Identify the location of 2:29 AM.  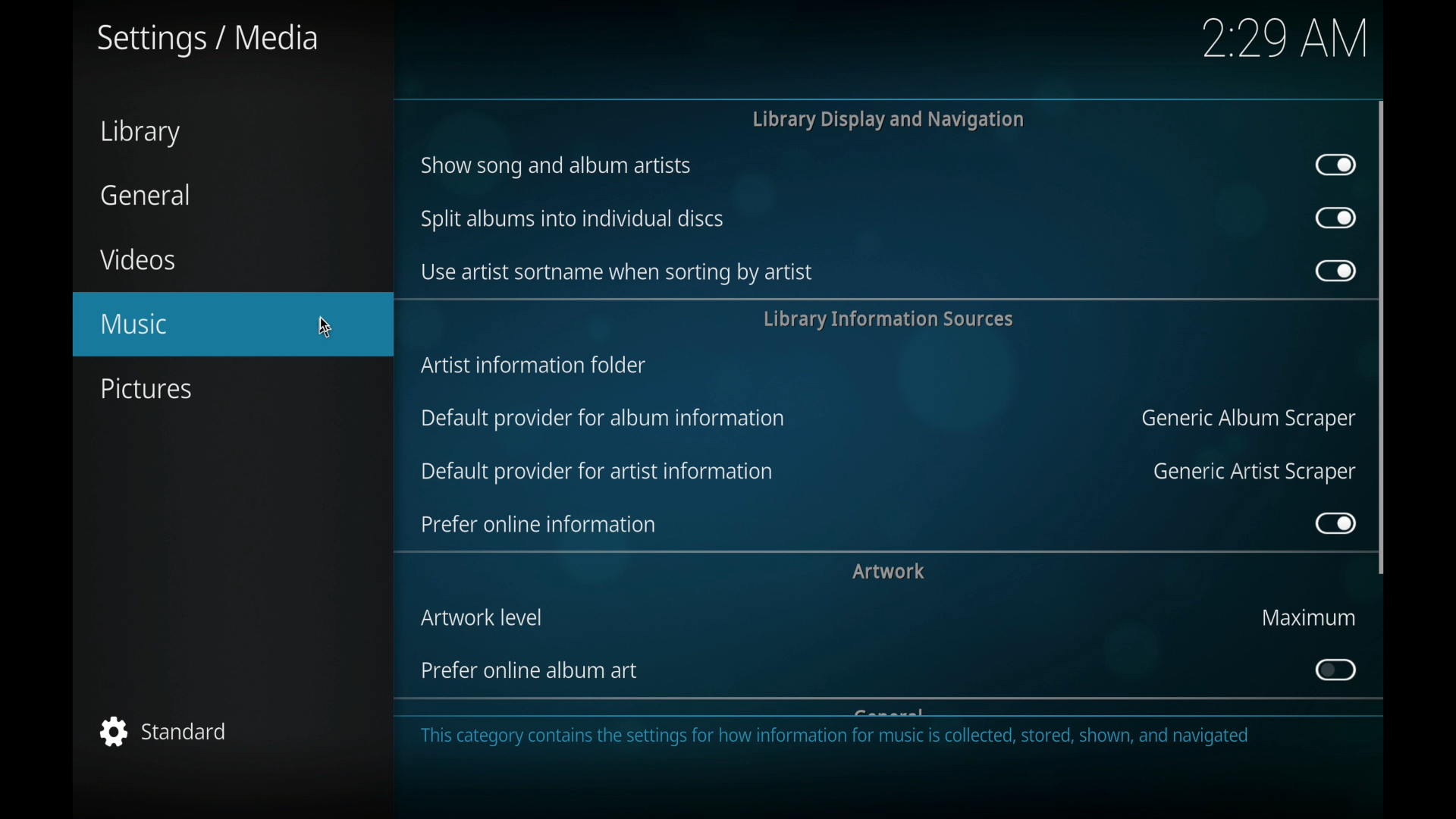
(1282, 45).